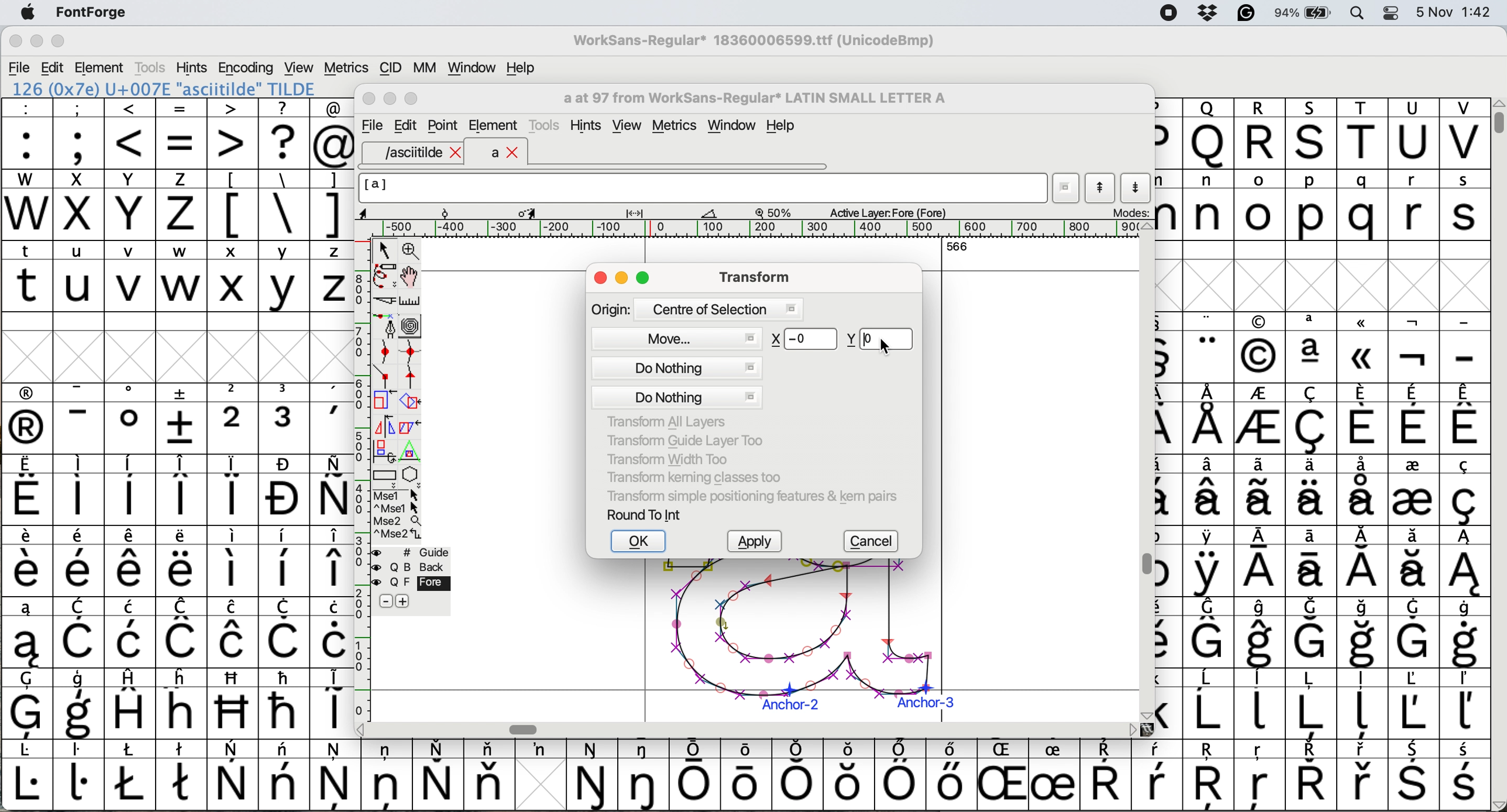 Image resolution: width=1507 pixels, height=812 pixels. I want to click on tranform width too, so click(674, 457).